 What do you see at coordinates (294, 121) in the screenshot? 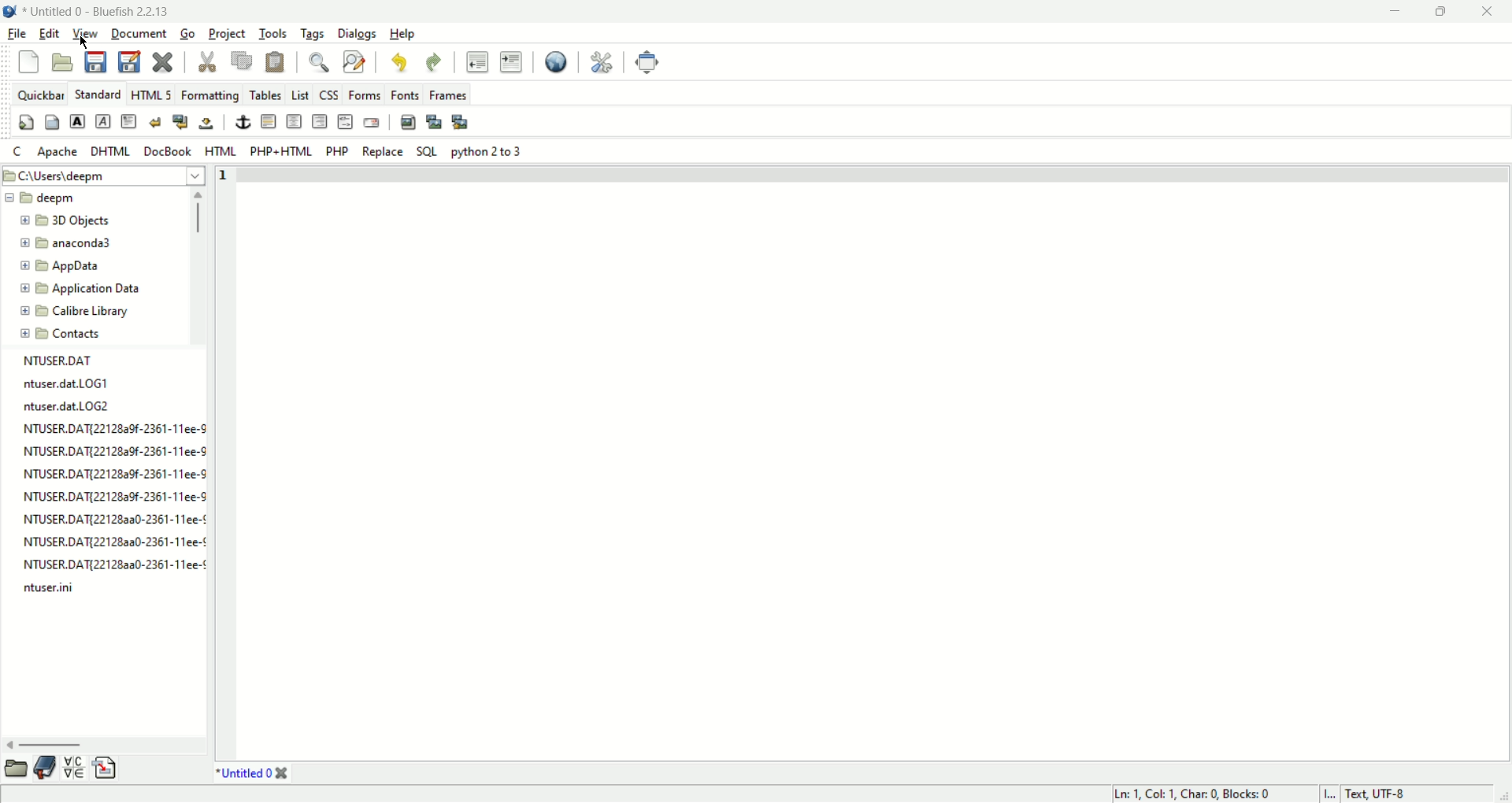
I see `center` at bounding box center [294, 121].